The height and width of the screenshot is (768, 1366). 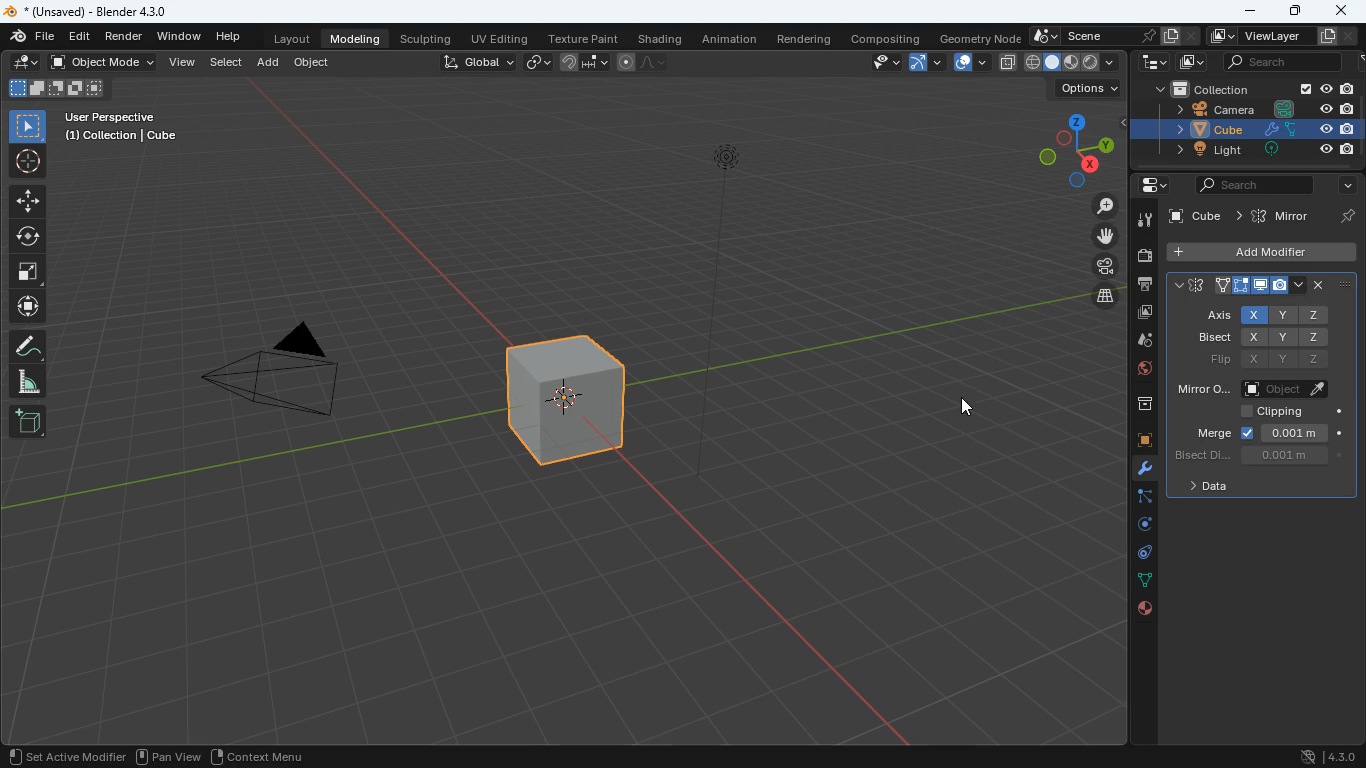 What do you see at coordinates (313, 61) in the screenshot?
I see `object` at bounding box center [313, 61].